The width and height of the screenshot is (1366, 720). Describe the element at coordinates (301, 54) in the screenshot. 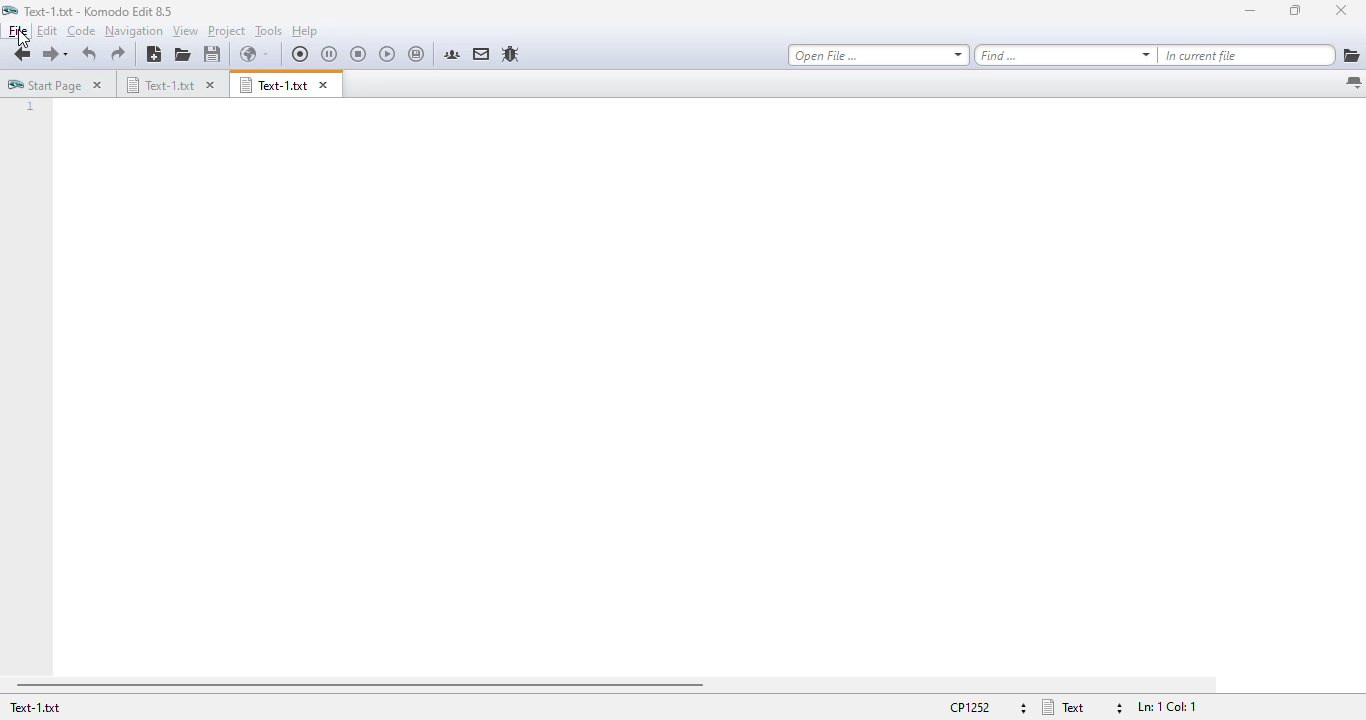

I see `record macro` at that location.